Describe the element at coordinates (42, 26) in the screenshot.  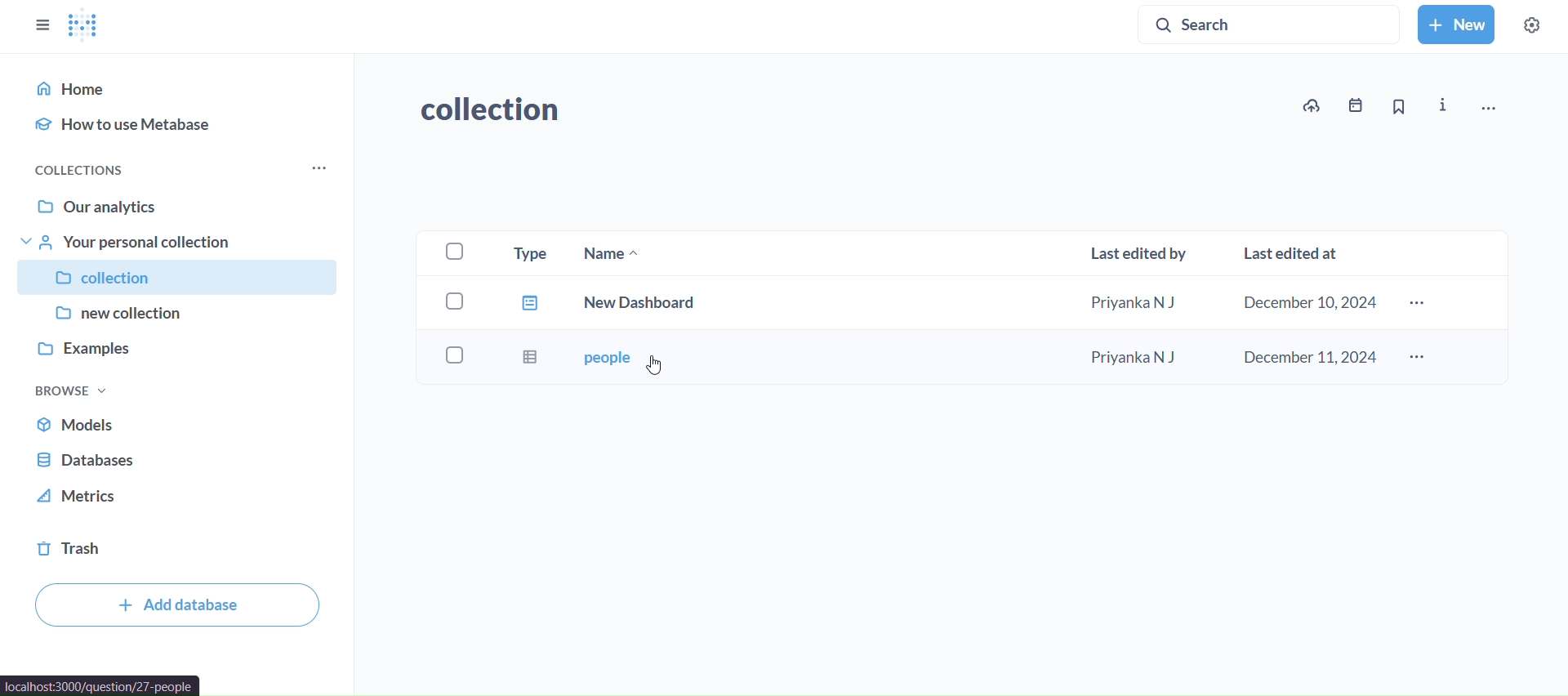
I see `close sidebars` at that location.